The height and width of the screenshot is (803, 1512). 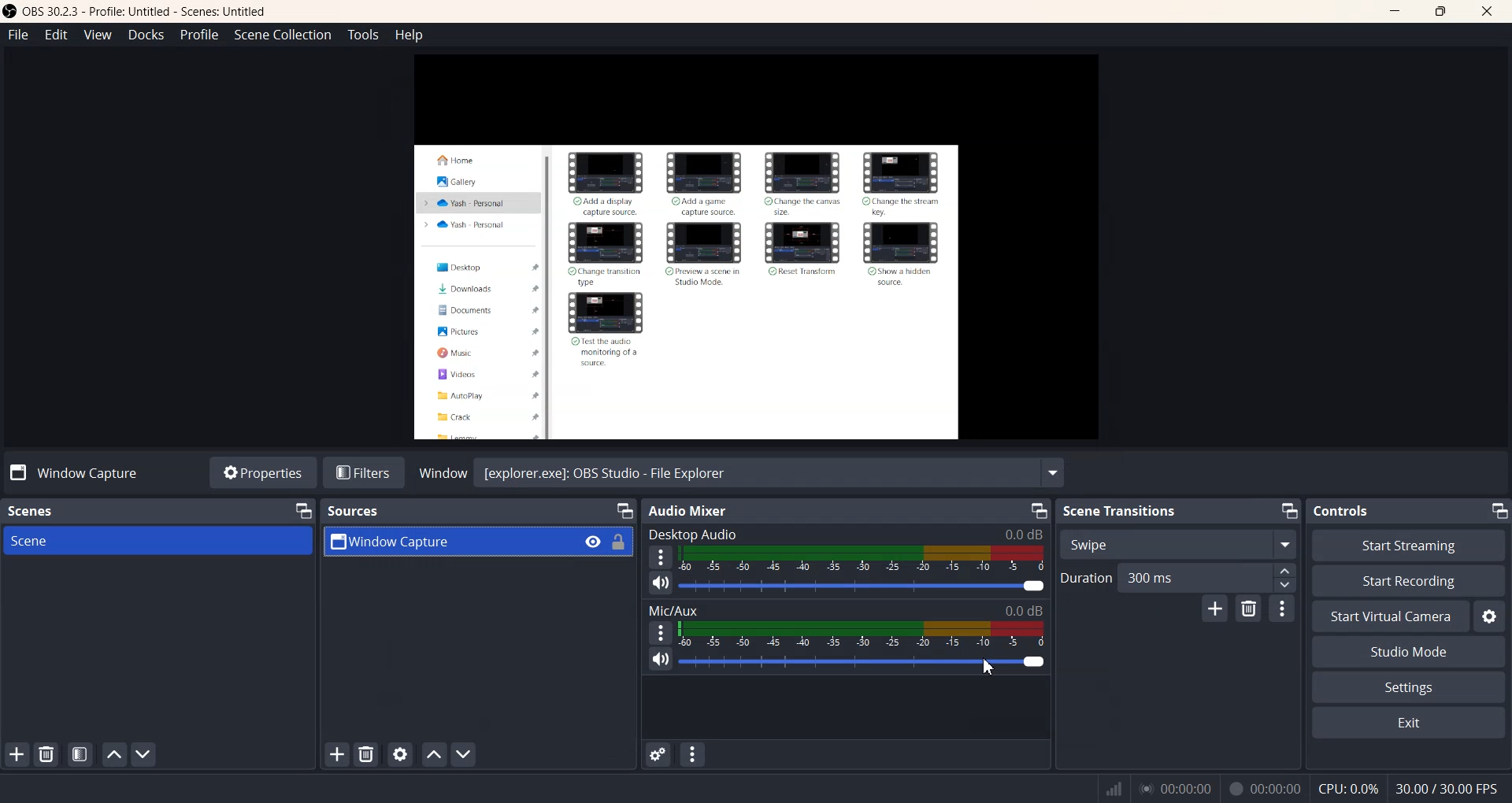 What do you see at coordinates (305, 510) in the screenshot?
I see `Minimize` at bounding box center [305, 510].